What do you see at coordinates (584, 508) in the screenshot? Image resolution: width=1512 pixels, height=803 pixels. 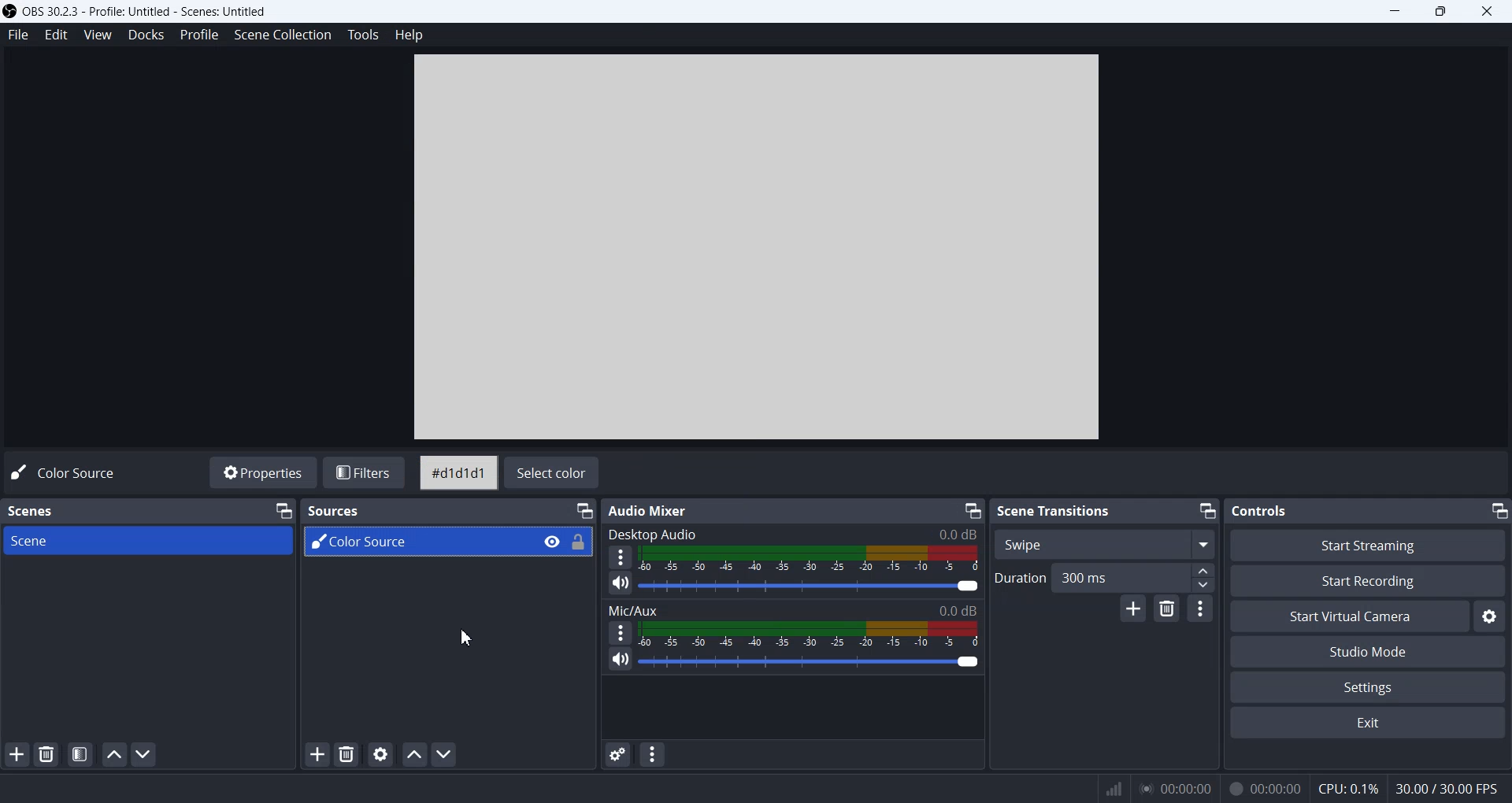 I see `Minimize` at bounding box center [584, 508].